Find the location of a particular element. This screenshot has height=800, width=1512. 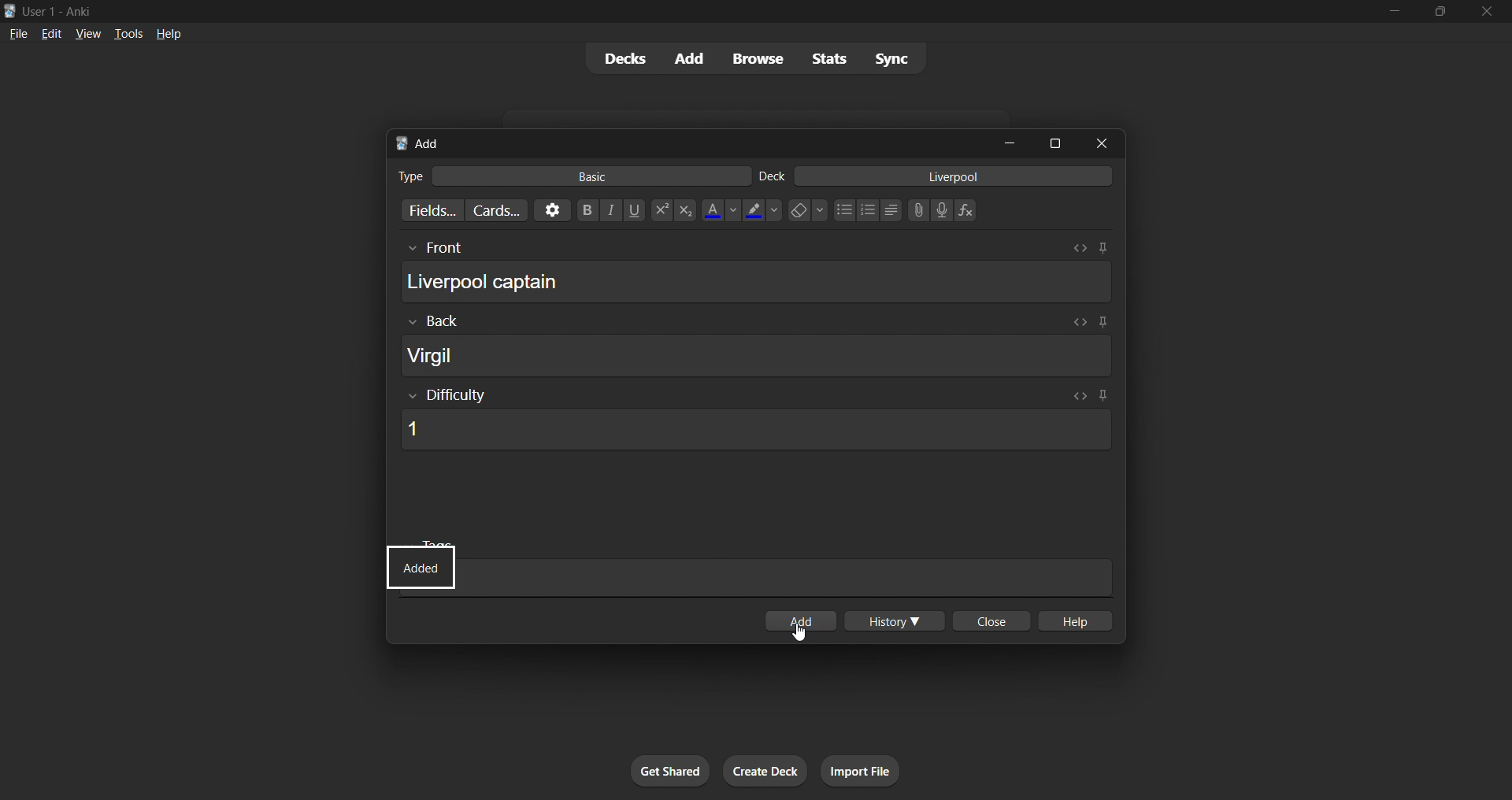

view is located at coordinates (88, 33).